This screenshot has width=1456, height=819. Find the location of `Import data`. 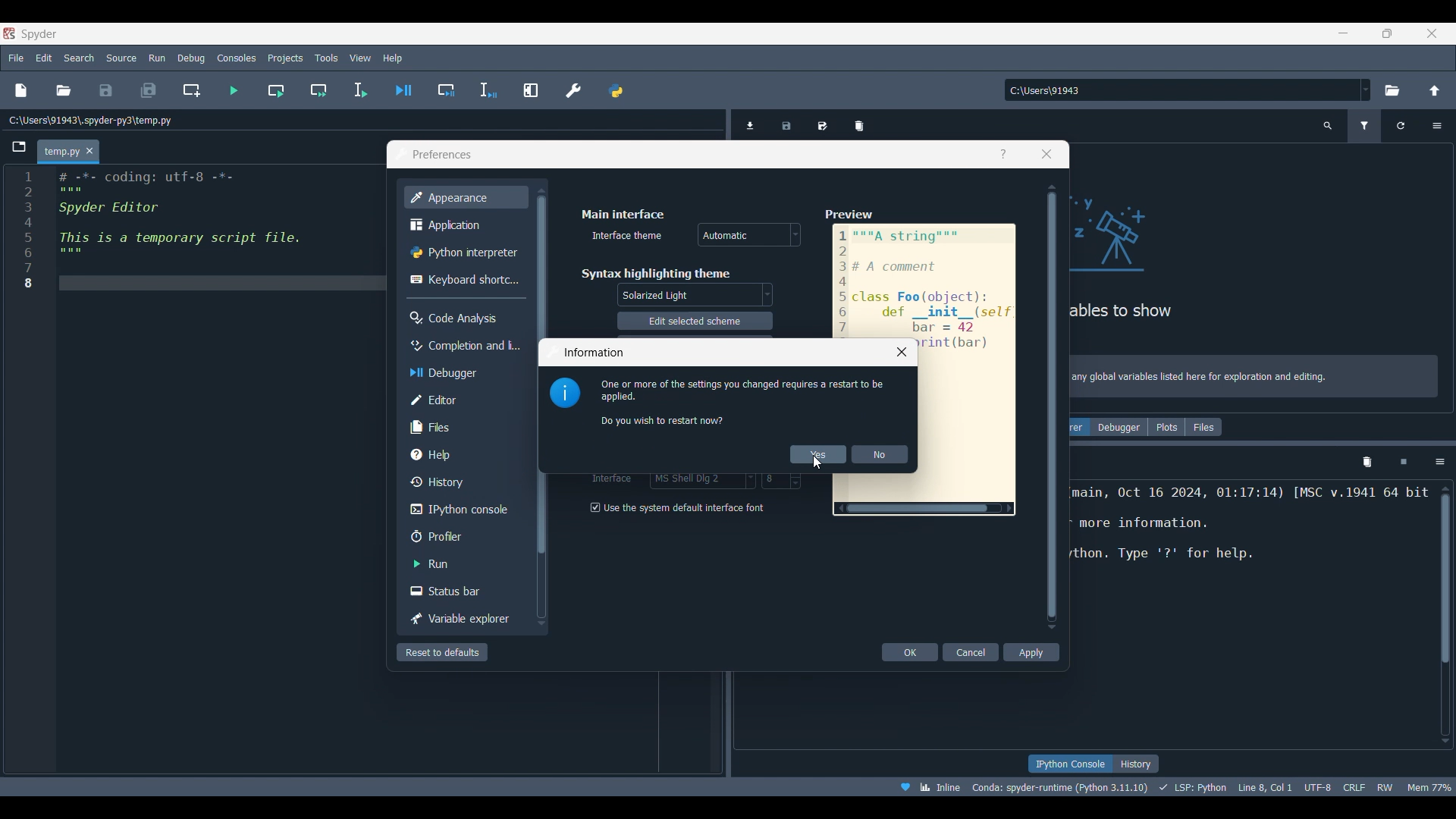

Import data is located at coordinates (752, 125).